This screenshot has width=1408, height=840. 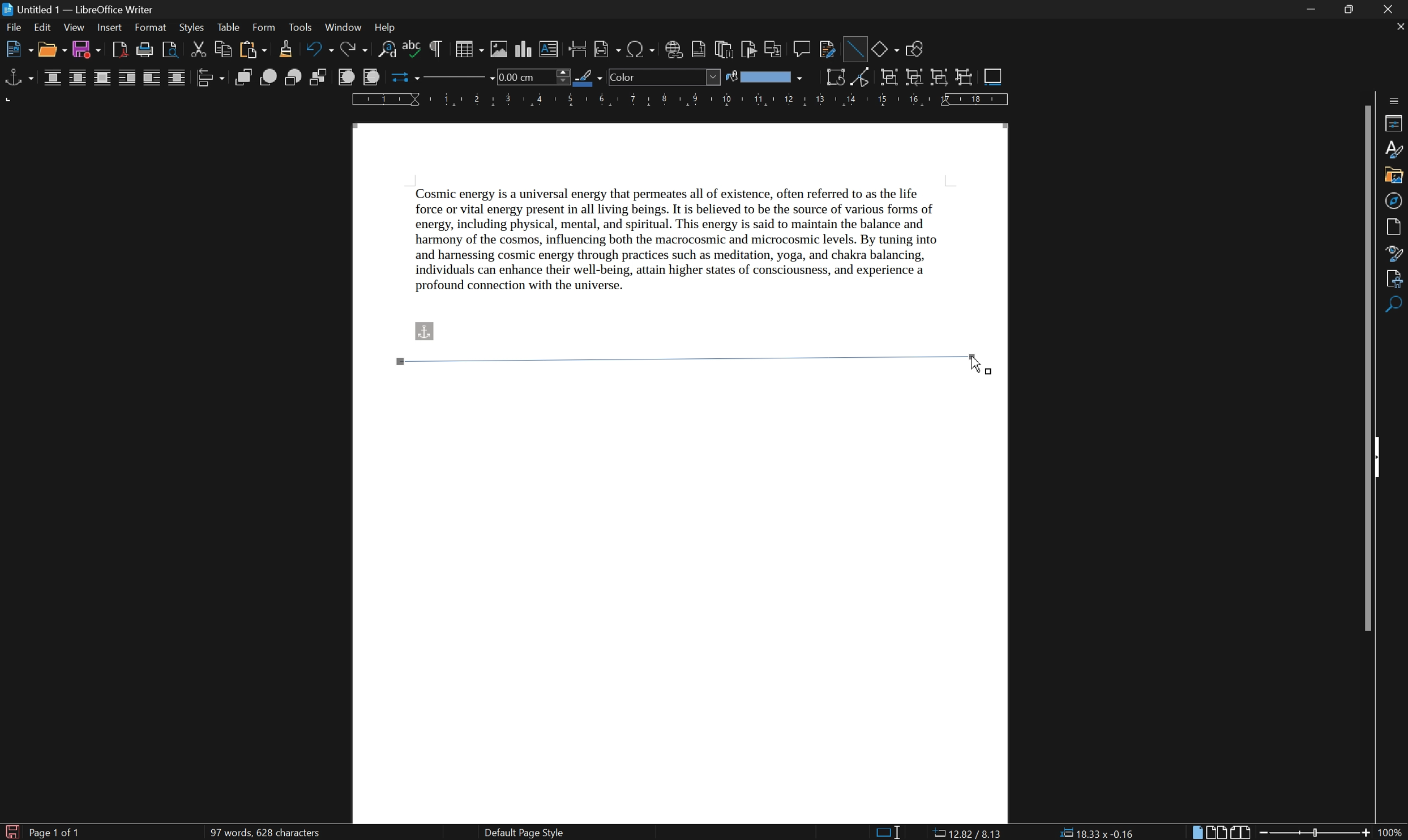 I want to click on show track changes functions, so click(x=828, y=50).